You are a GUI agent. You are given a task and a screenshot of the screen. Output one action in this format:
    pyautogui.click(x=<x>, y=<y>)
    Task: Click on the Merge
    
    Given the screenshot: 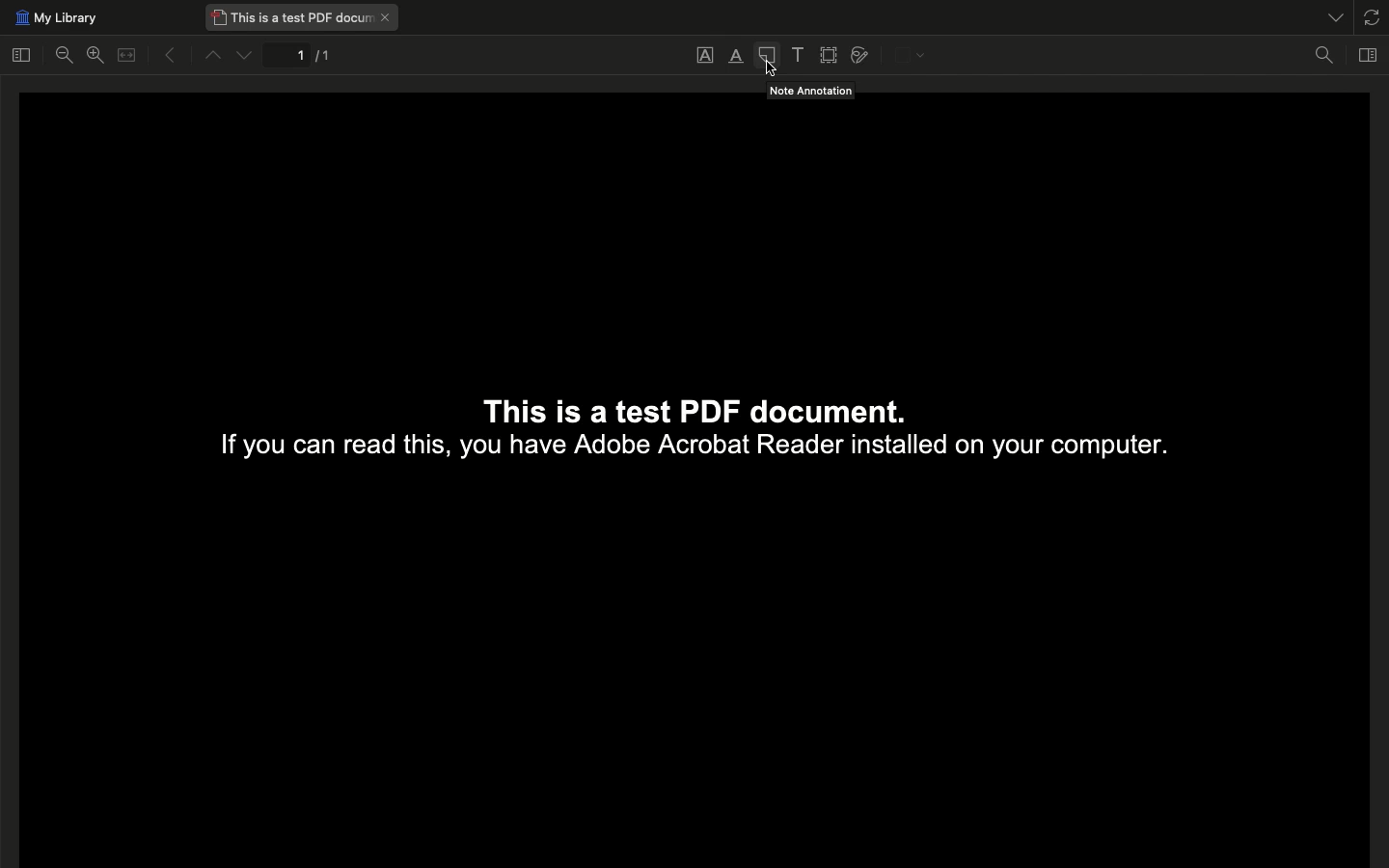 What is the action you would take?
    pyautogui.click(x=126, y=56)
    